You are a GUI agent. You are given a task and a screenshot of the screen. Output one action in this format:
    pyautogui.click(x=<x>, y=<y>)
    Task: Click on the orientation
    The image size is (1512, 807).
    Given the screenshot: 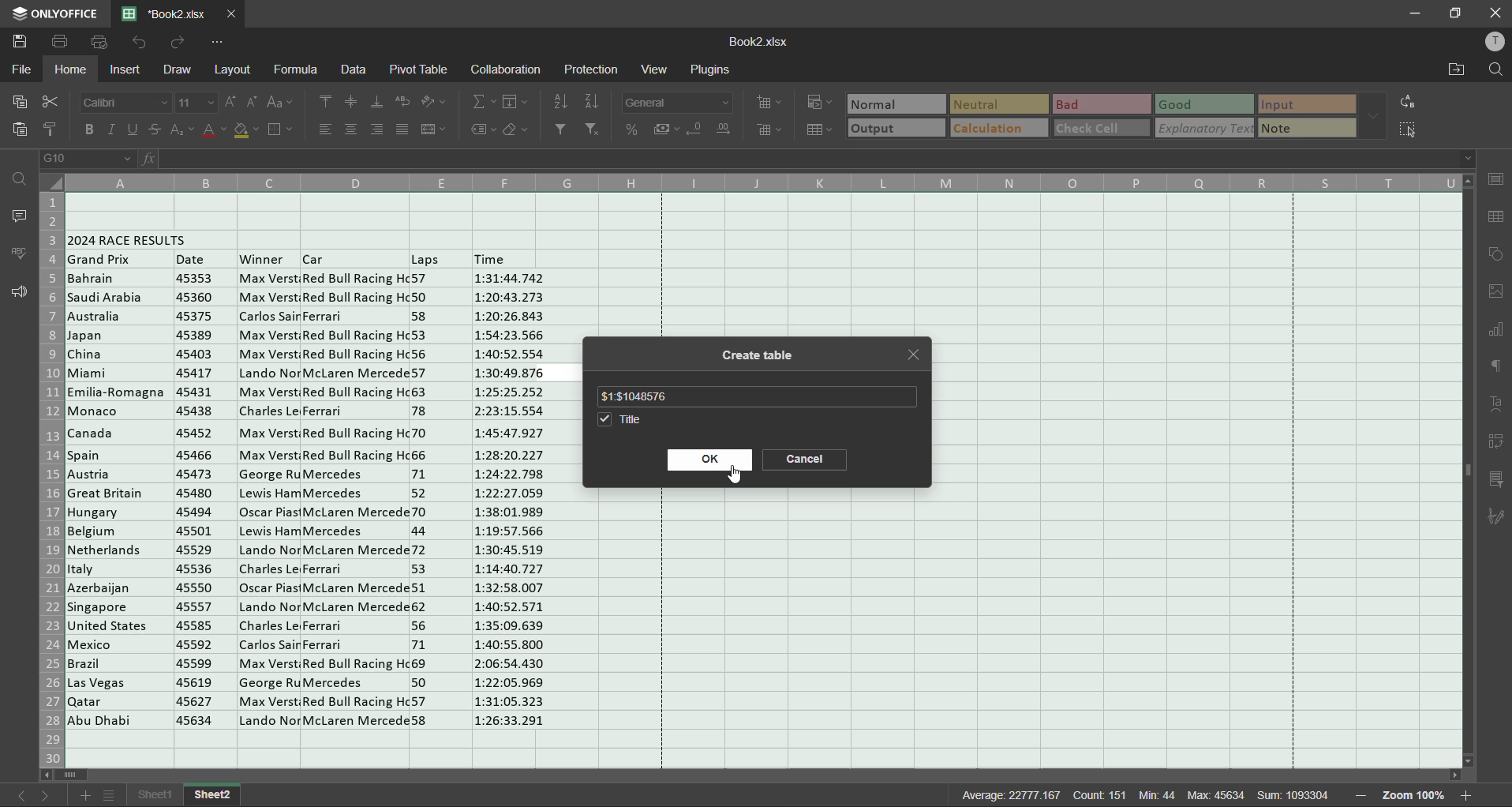 What is the action you would take?
    pyautogui.click(x=433, y=102)
    